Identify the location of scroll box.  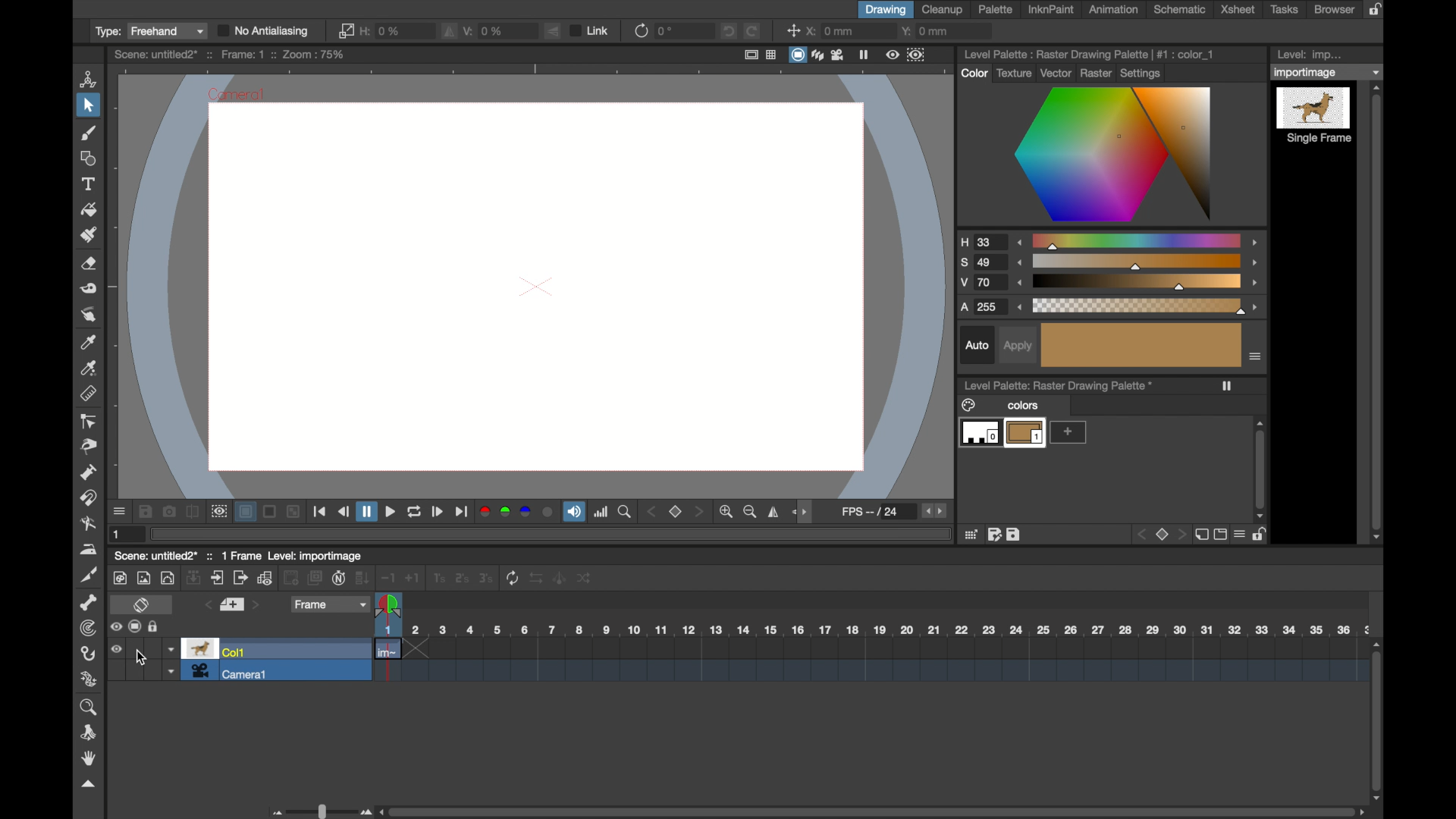
(1260, 469).